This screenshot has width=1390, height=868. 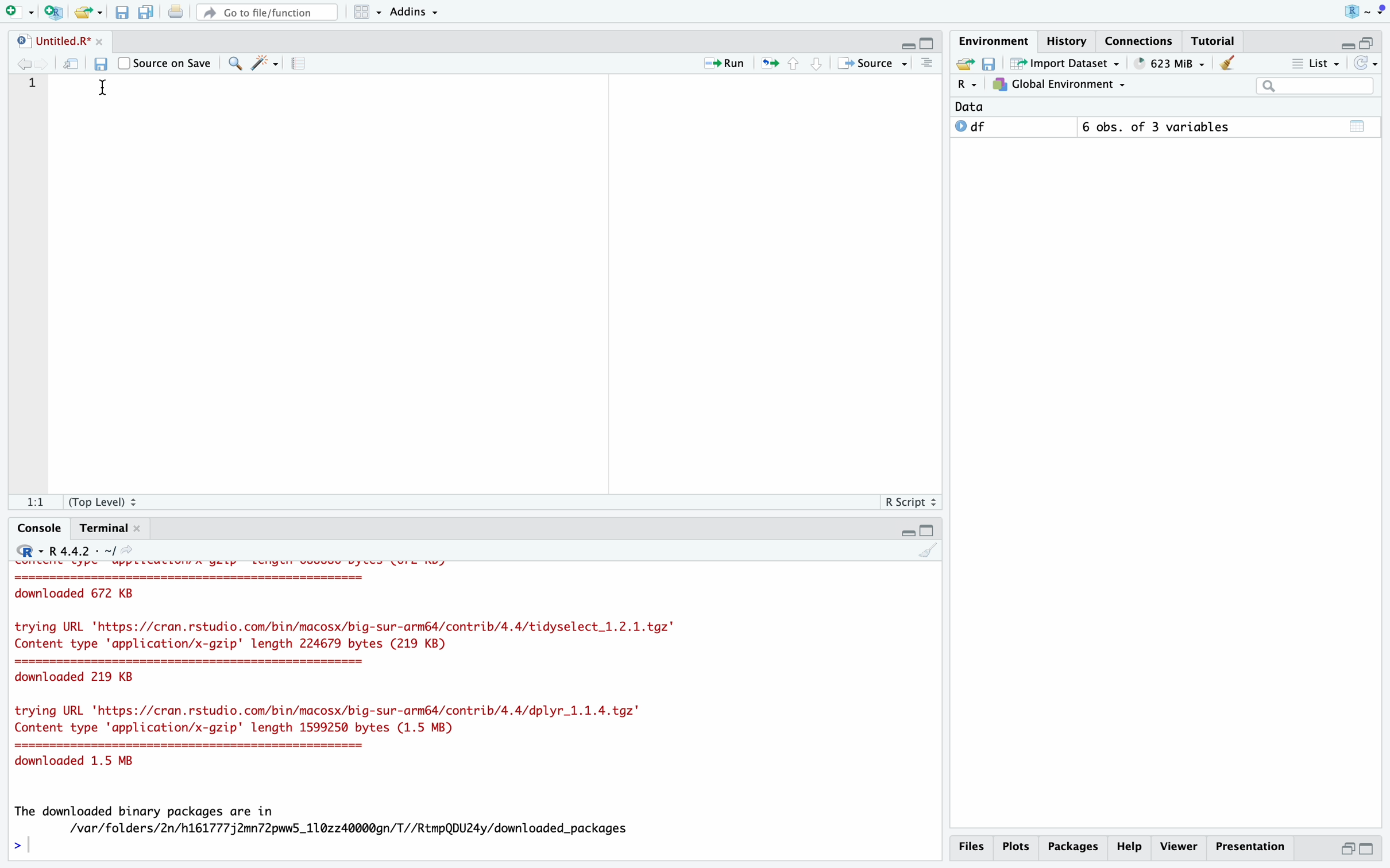 What do you see at coordinates (59, 40) in the screenshot?
I see `Untitled.R*` at bounding box center [59, 40].